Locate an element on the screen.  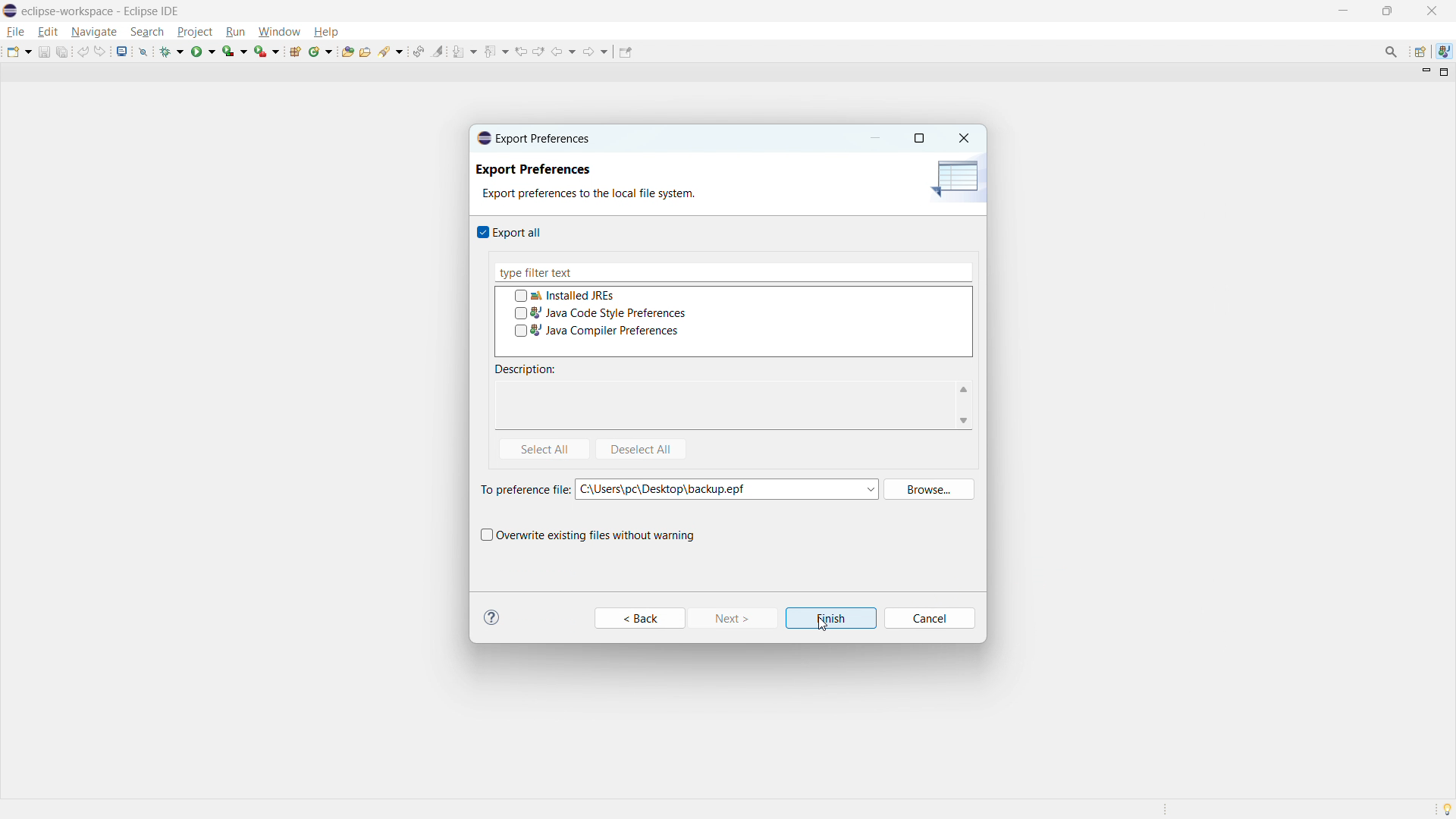
open task is located at coordinates (365, 50).